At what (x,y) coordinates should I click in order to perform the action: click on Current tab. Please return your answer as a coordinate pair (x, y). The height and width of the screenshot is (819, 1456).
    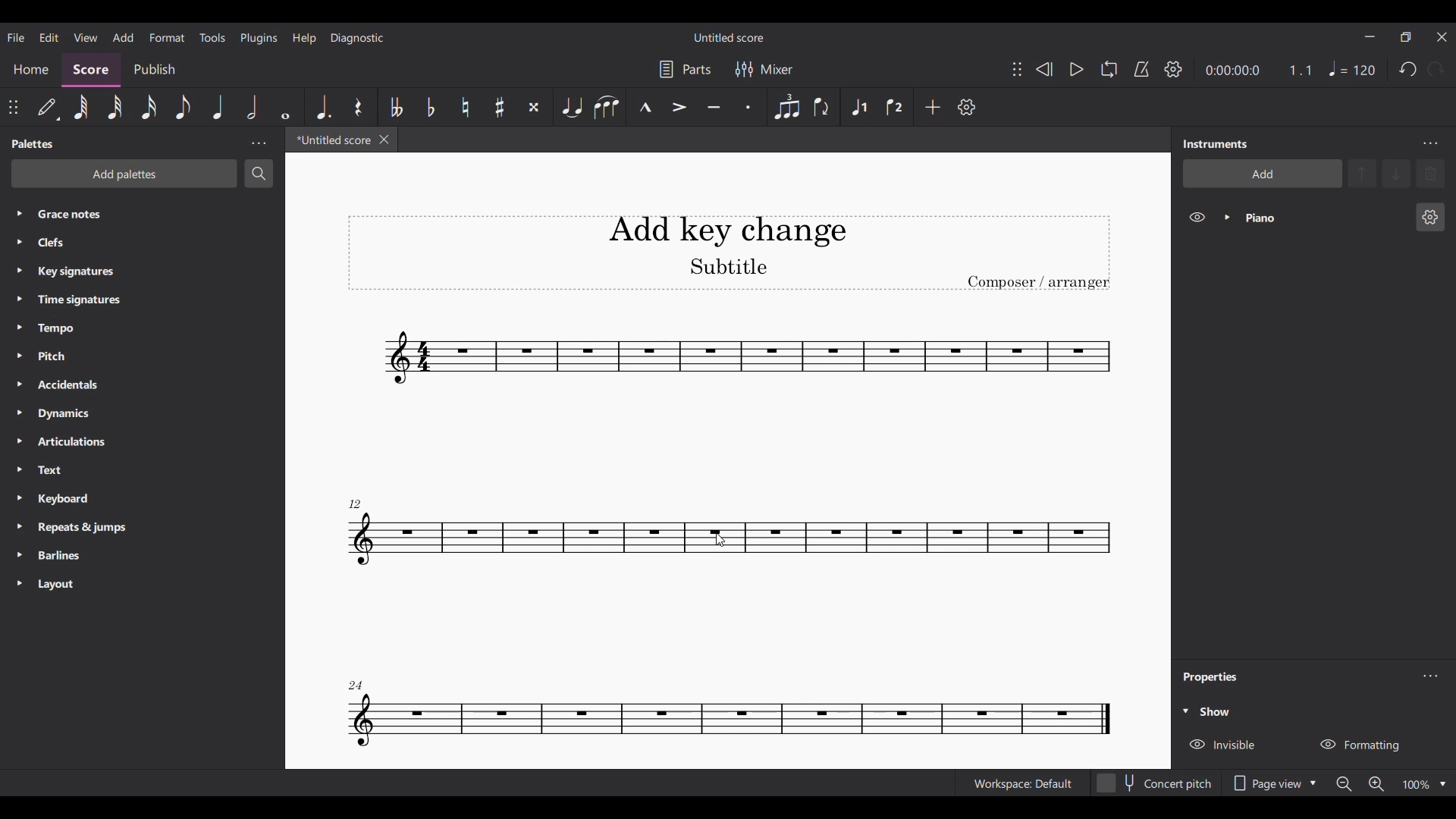
    Looking at the image, I should click on (332, 140).